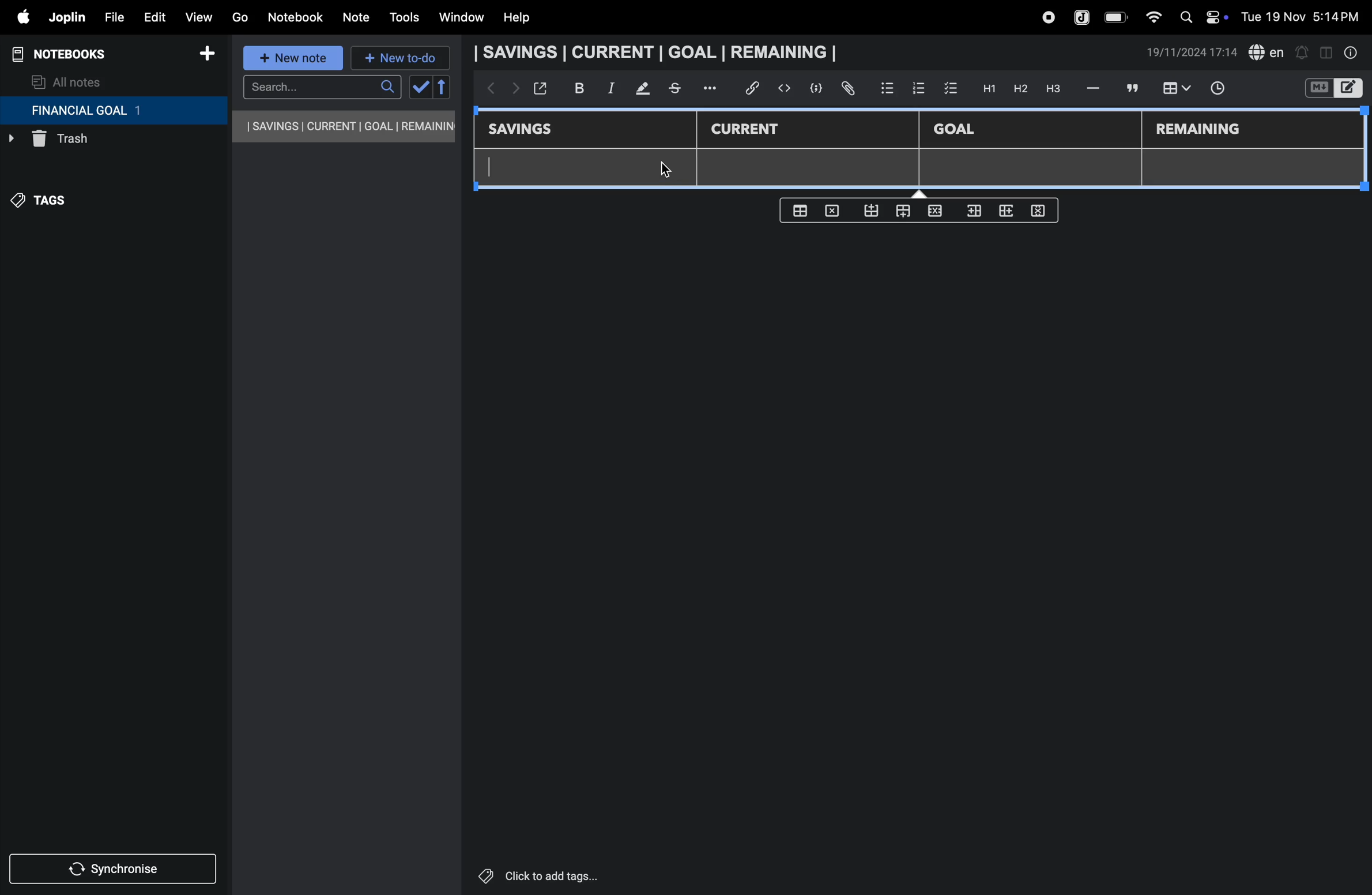 The width and height of the screenshot is (1372, 895). I want to click on close rows, so click(933, 213).